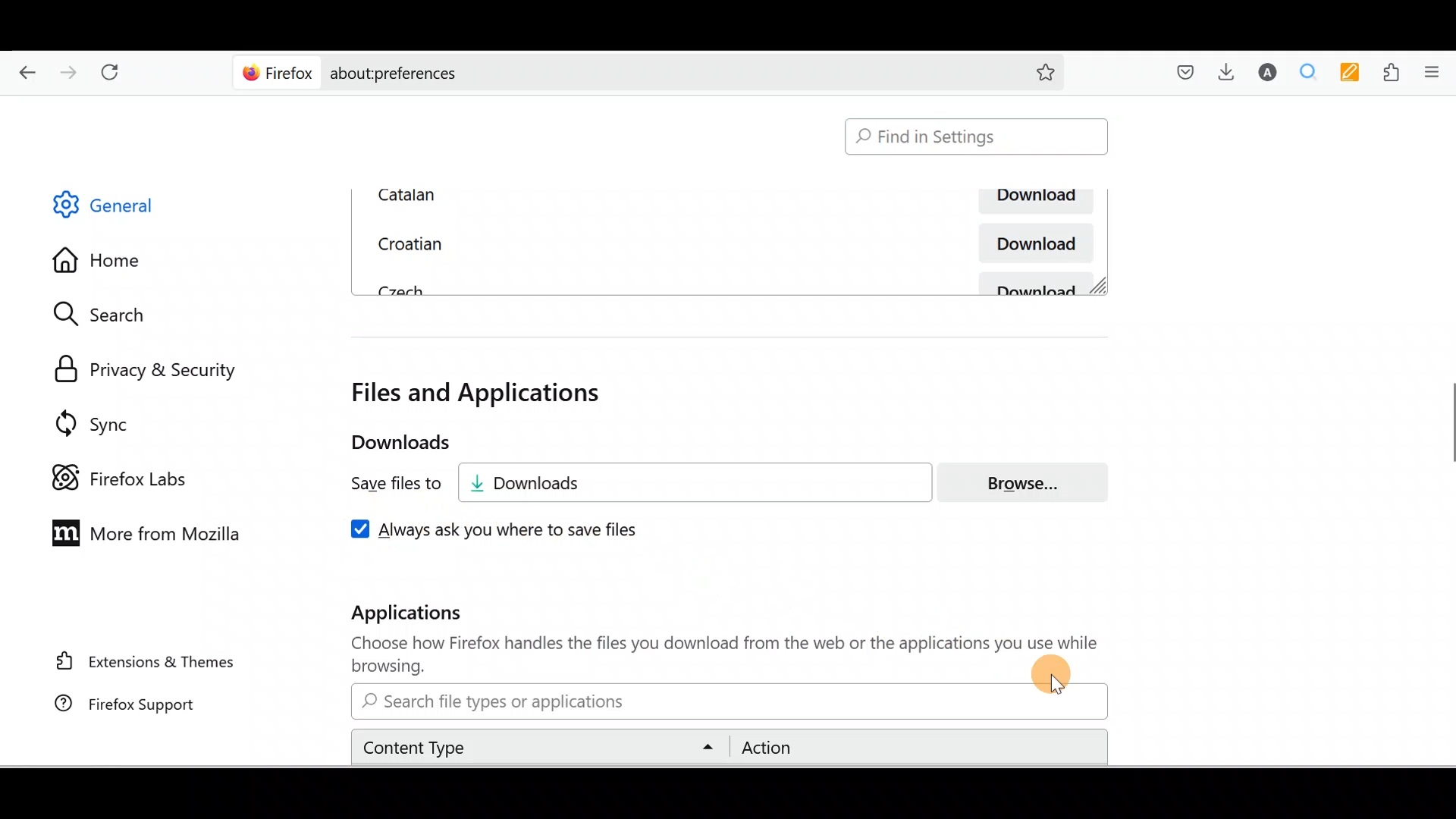 This screenshot has width=1456, height=819. I want to click on cursor, so click(1059, 686).